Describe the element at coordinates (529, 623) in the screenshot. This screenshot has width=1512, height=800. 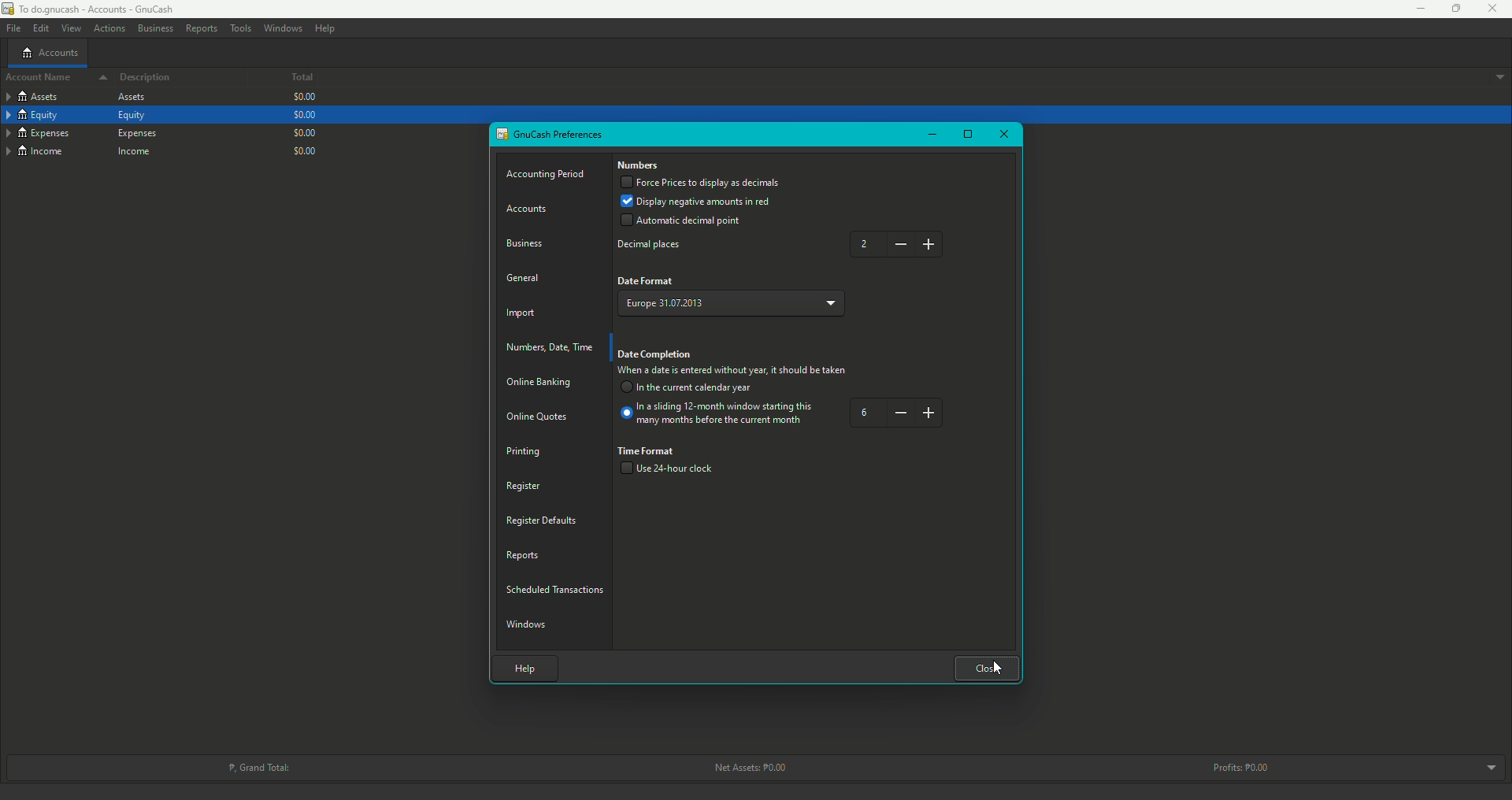
I see `Windows` at that location.